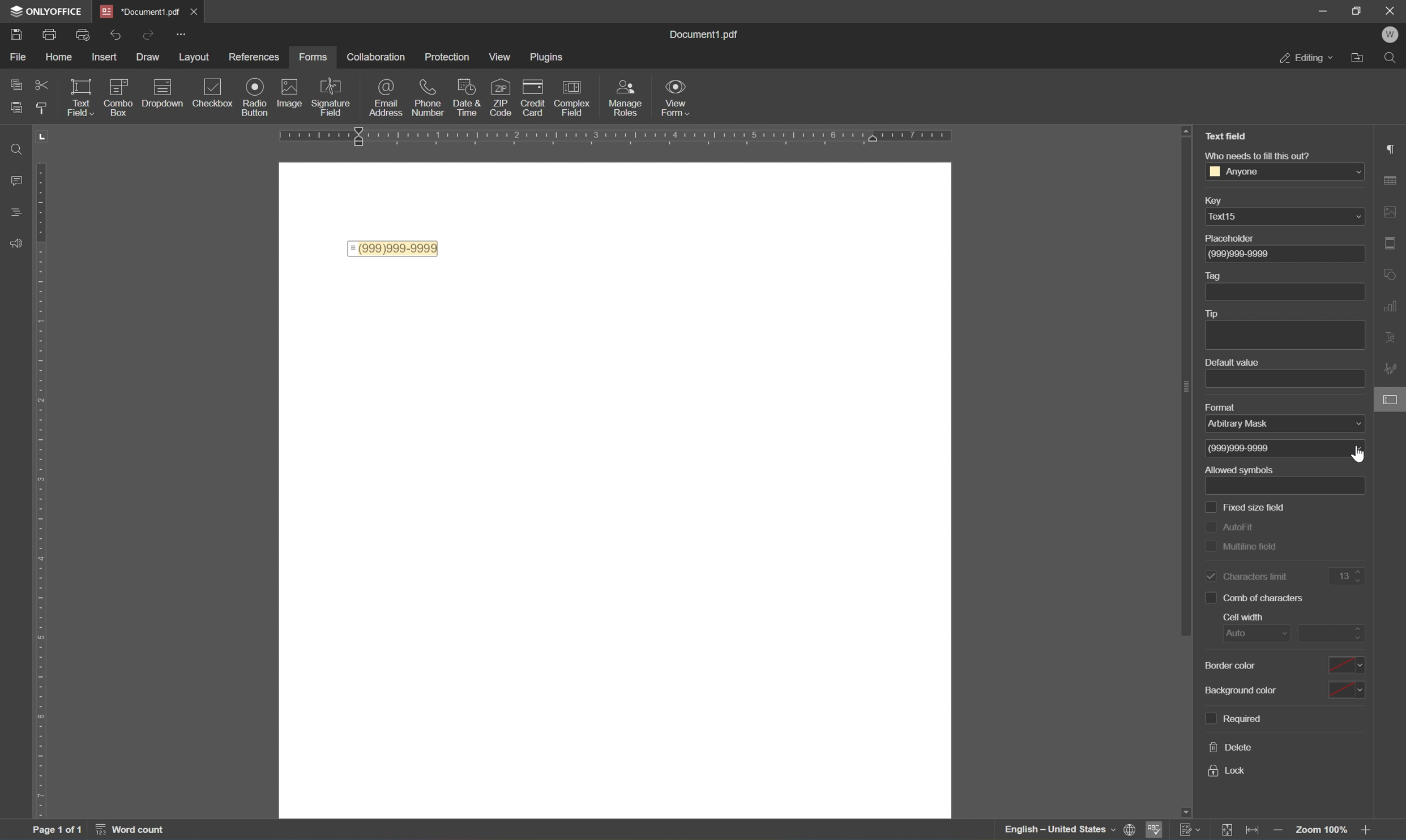 Image resolution: width=1406 pixels, height=840 pixels. What do you see at coordinates (1391, 10) in the screenshot?
I see `close` at bounding box center [1391, 10].